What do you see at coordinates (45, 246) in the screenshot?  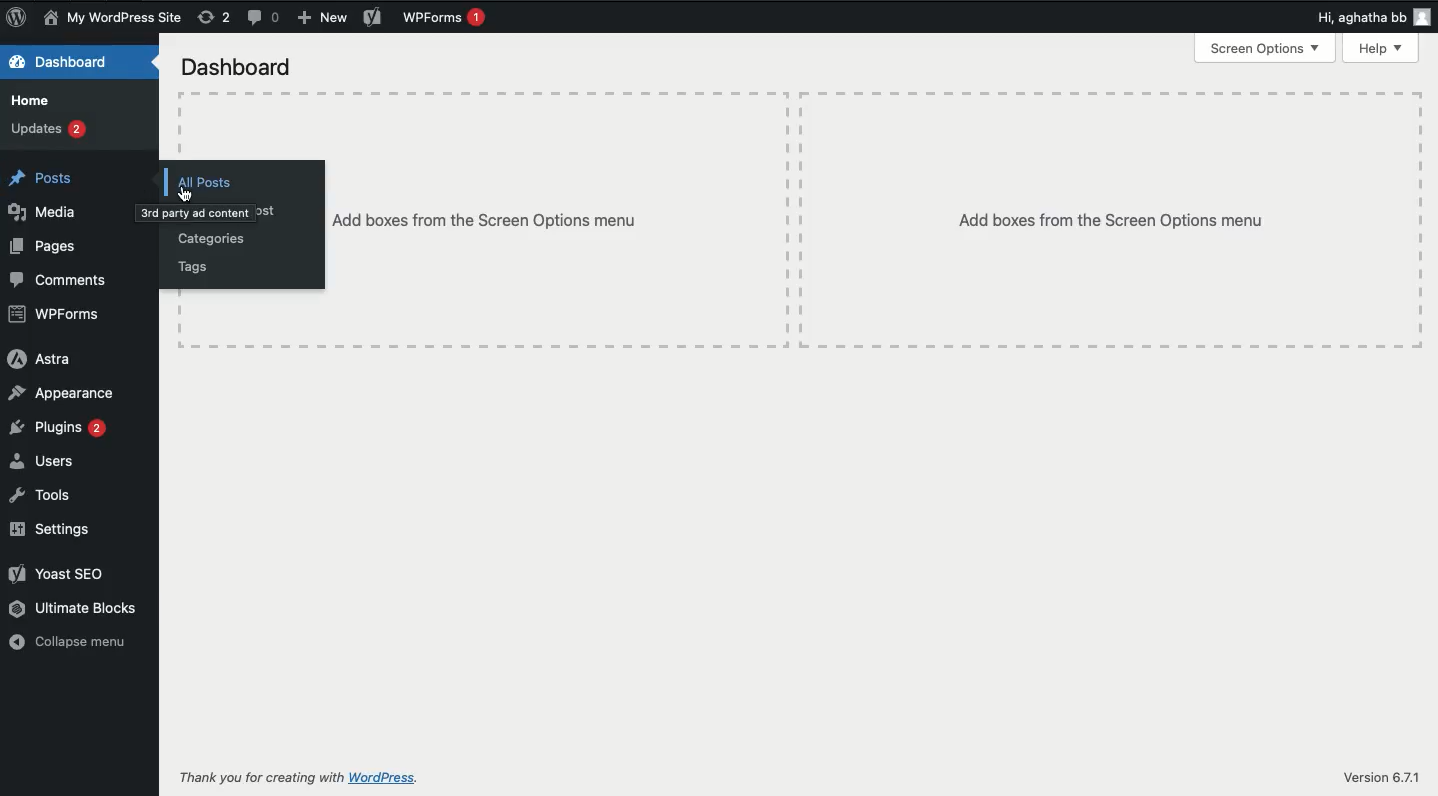 I see `Pages` at bounding box center [45, 246].